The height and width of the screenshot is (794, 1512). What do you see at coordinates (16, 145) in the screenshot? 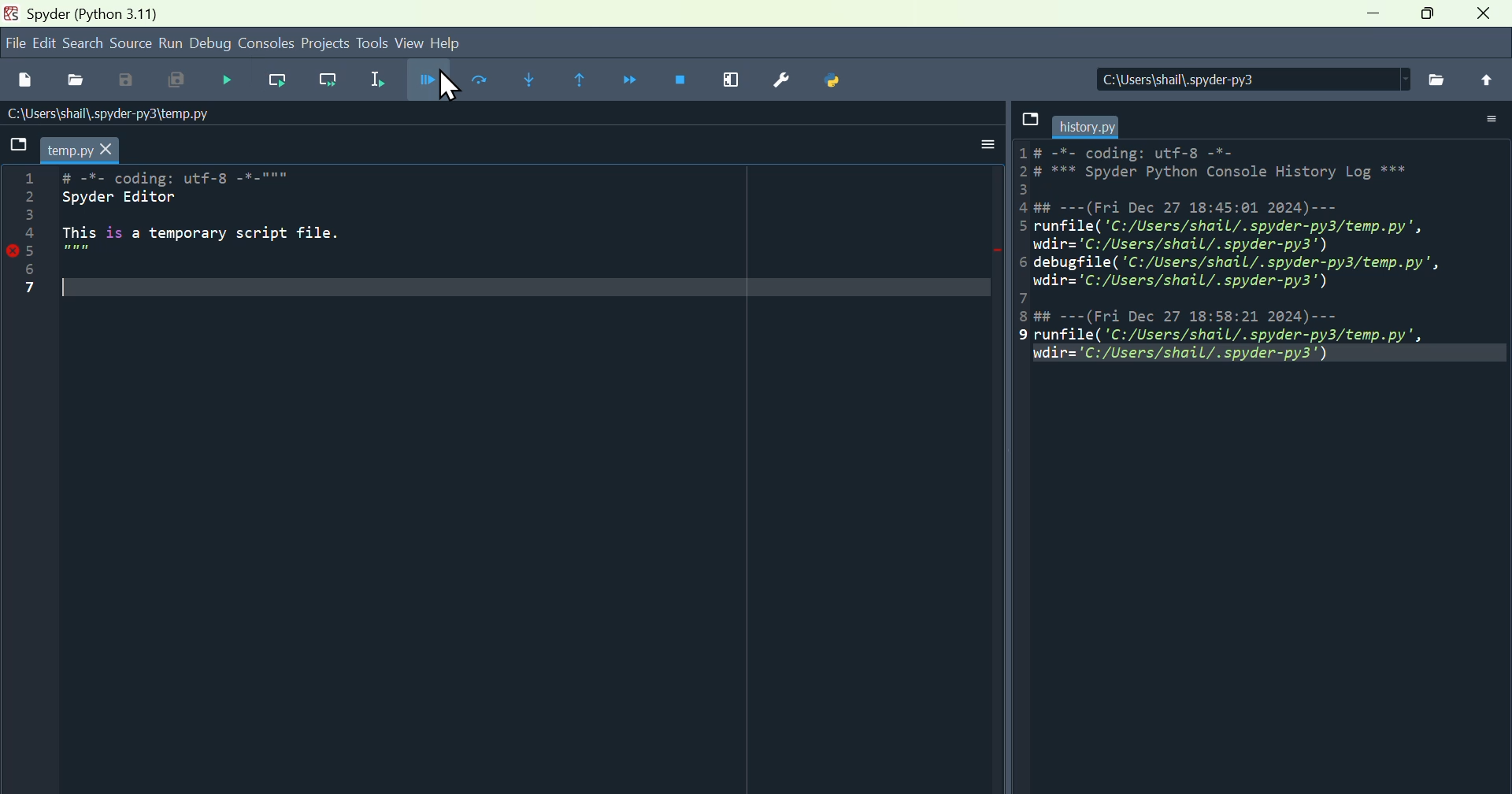
I see `File` at bounding box center [16, 145].